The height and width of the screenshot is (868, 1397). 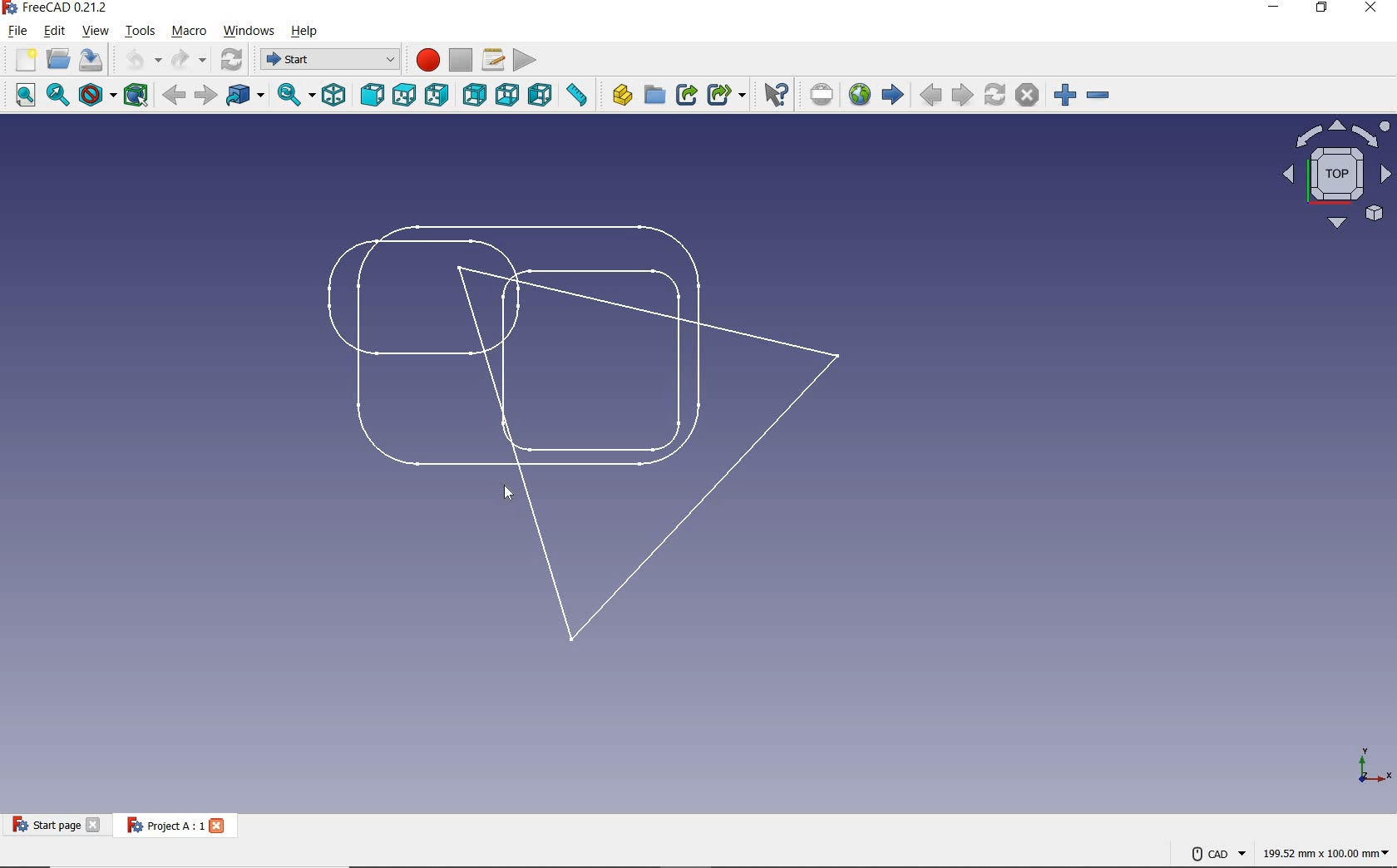 I want to click on WHAT'S THIS?, so click(x=777, y=96).